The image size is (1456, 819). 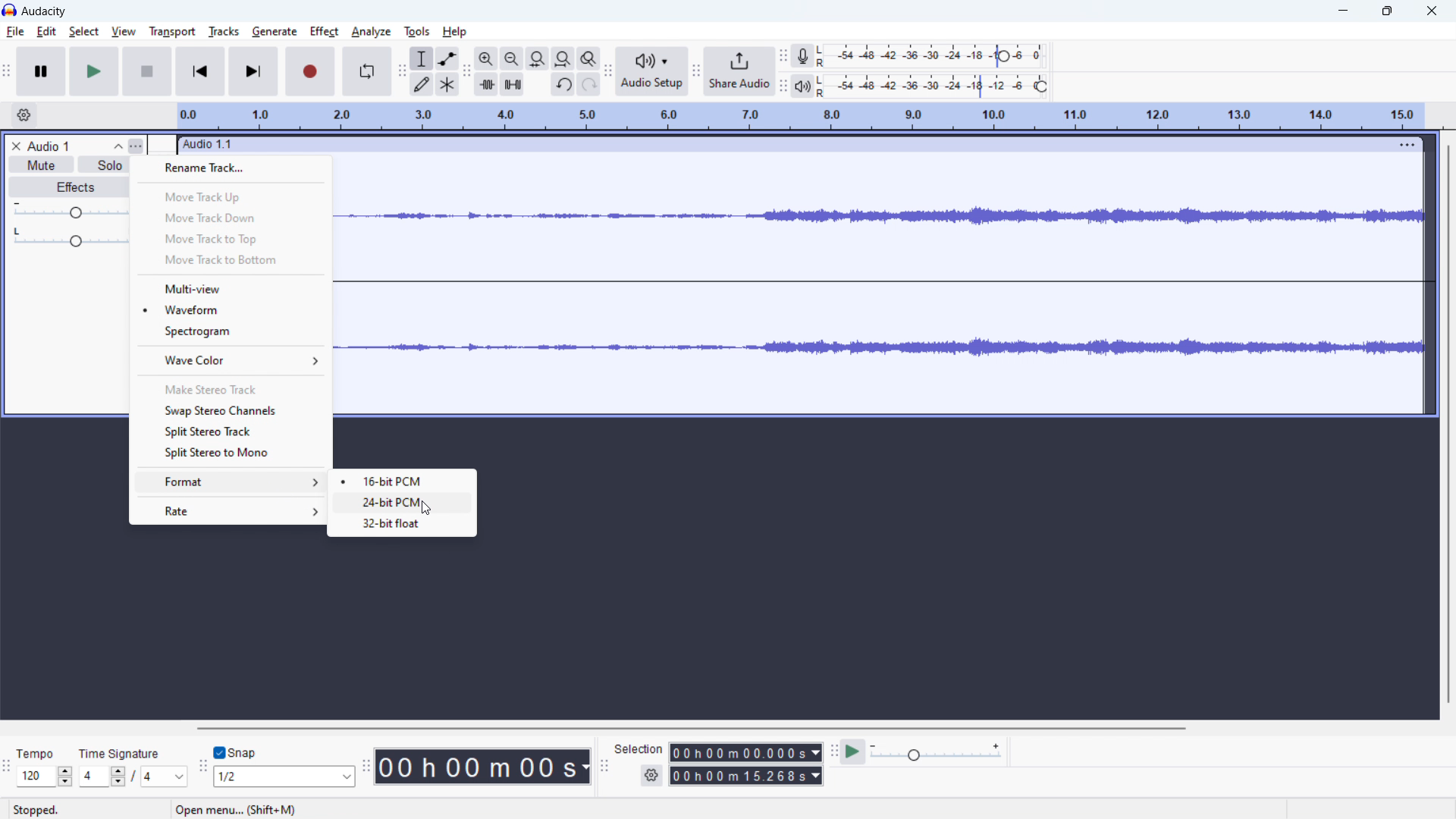 I want to click on record level, so click(x=937, y=57).